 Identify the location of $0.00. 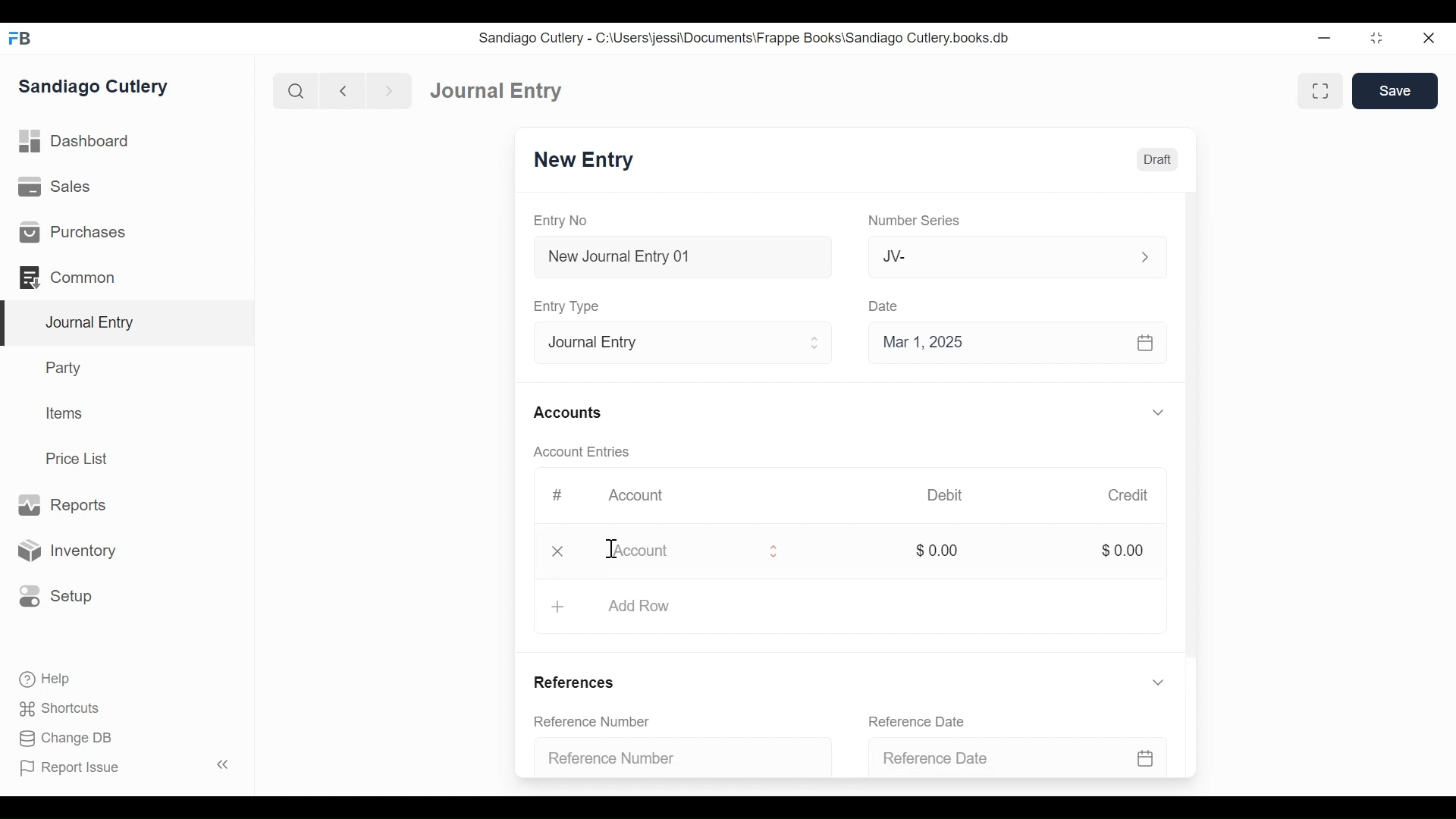
(937, 550).